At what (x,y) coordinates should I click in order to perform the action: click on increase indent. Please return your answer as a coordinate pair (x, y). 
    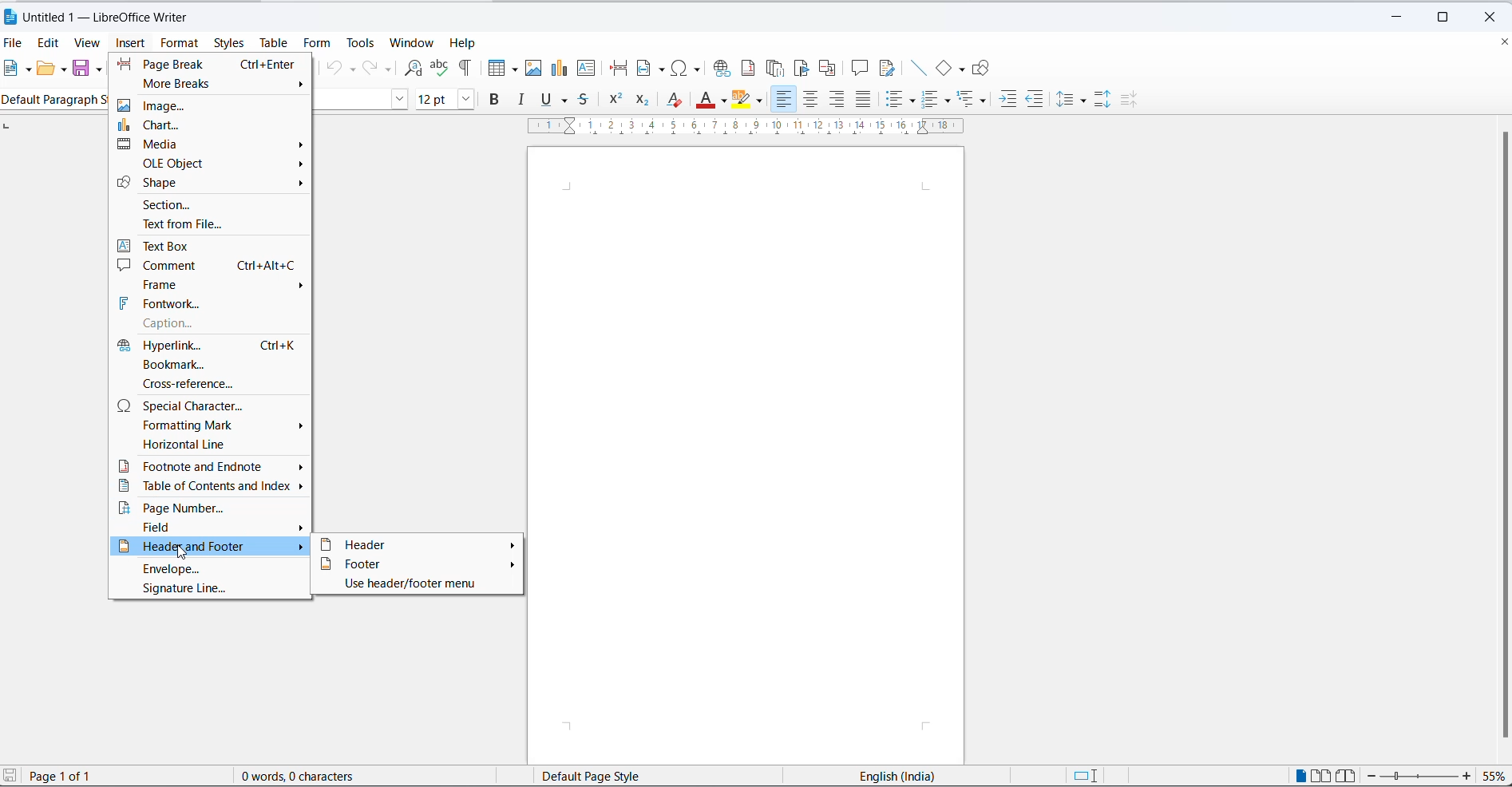
    Looking at the image, I should click on (1008, 100).